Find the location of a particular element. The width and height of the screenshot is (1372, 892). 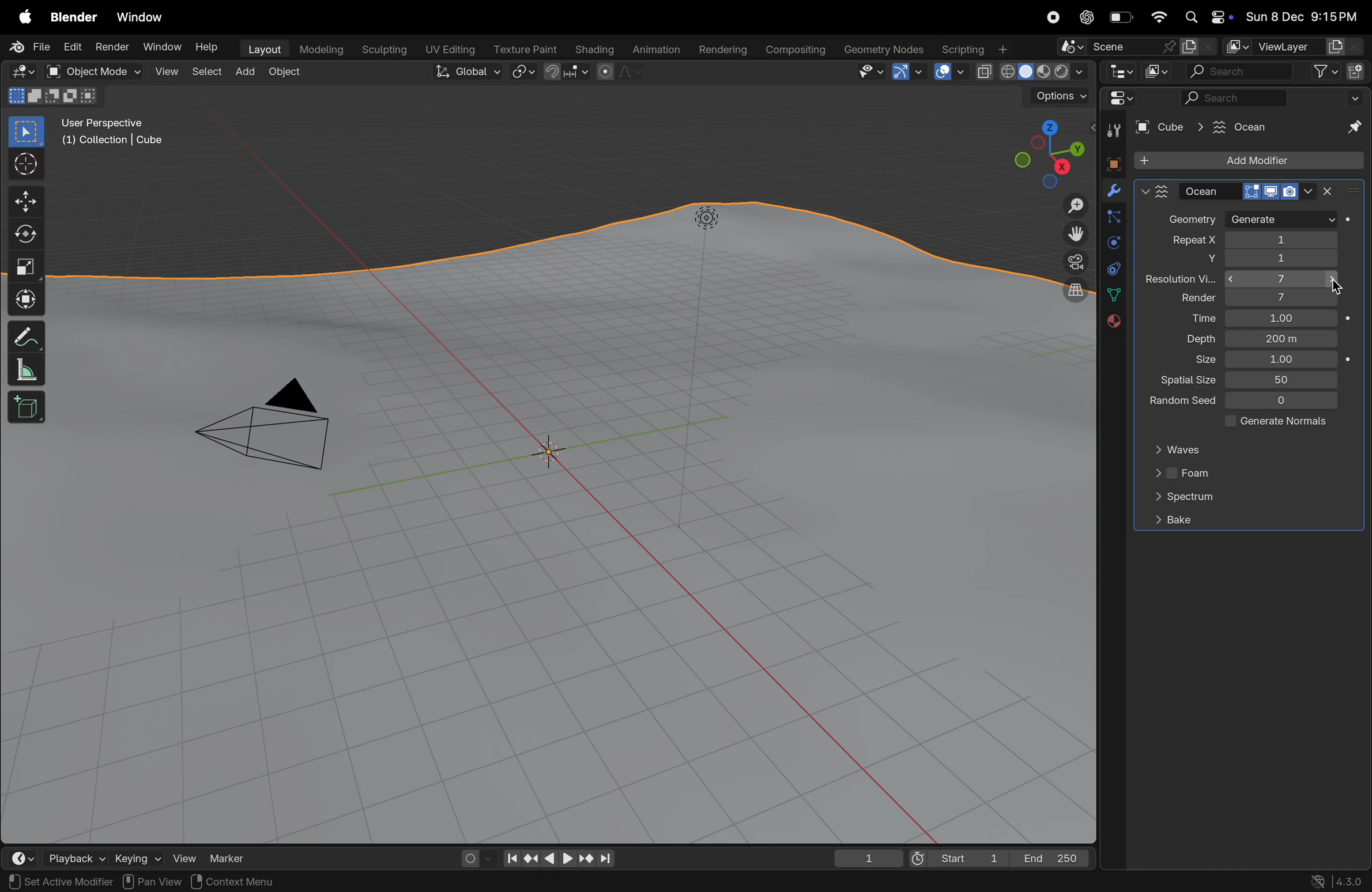

move is located at coordinates (25, 201).